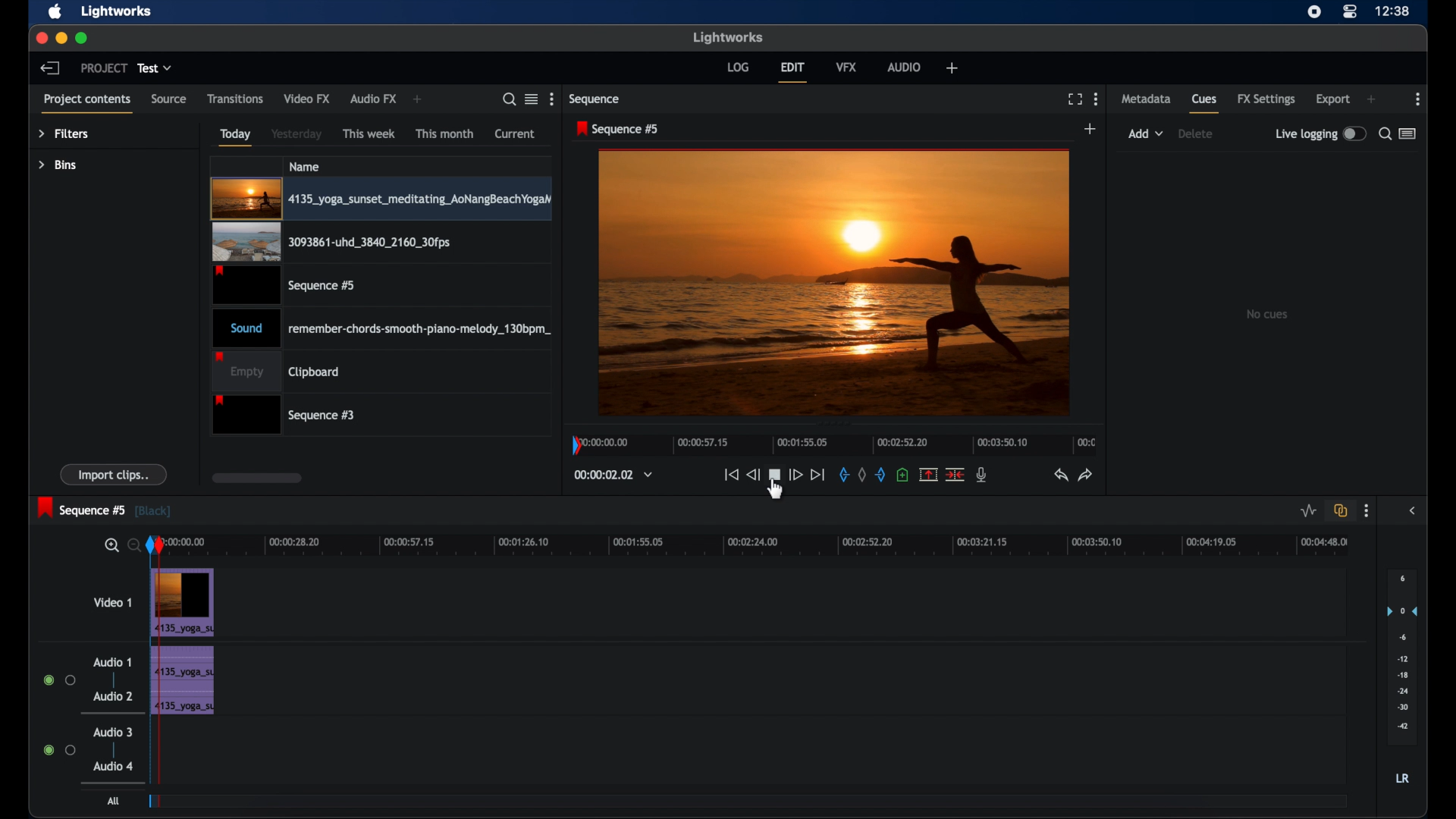 This screenshot has width=1456, height=819. I want to click on video preview, so click(833, 282).